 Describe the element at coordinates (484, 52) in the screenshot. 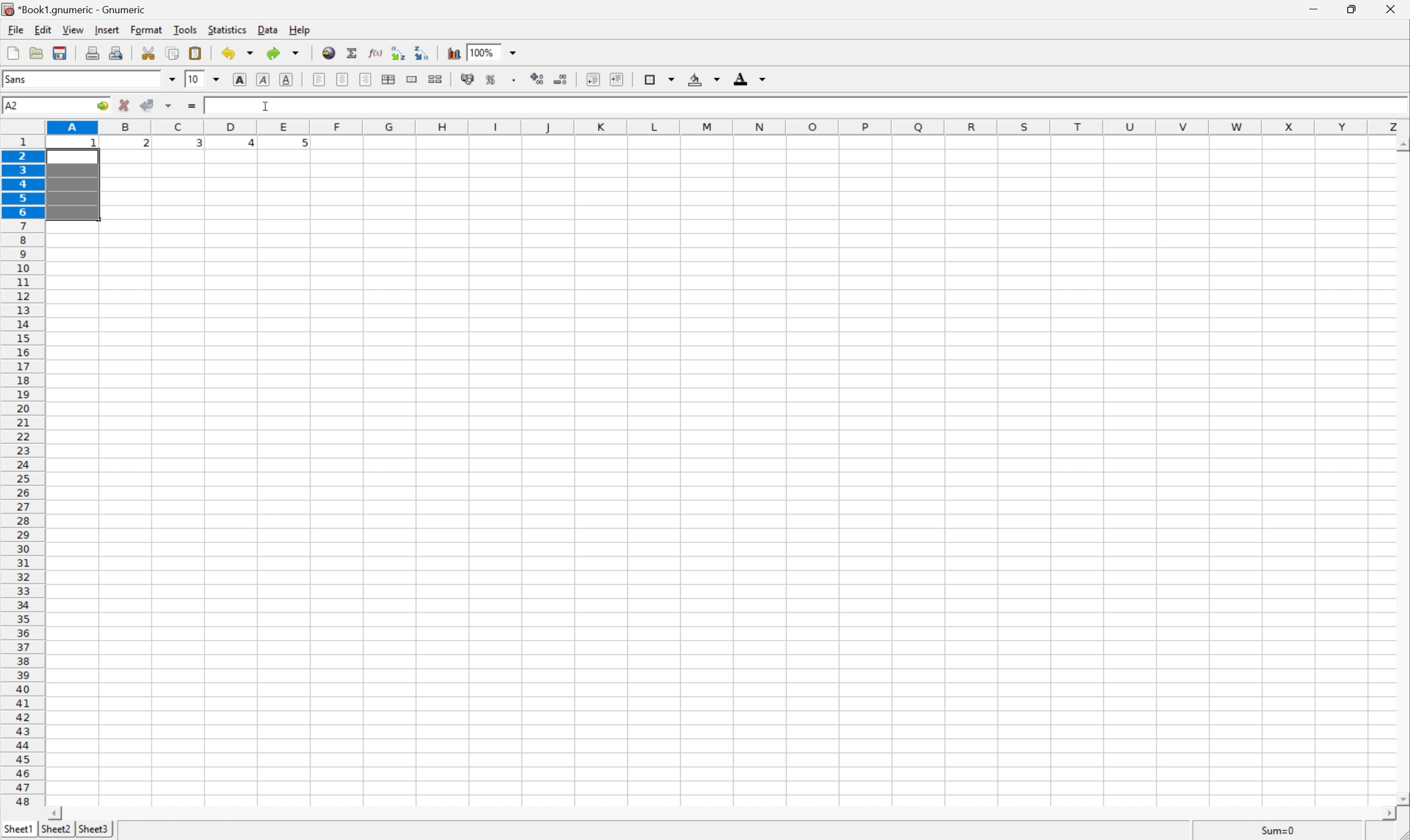

I see `100%` at that location.